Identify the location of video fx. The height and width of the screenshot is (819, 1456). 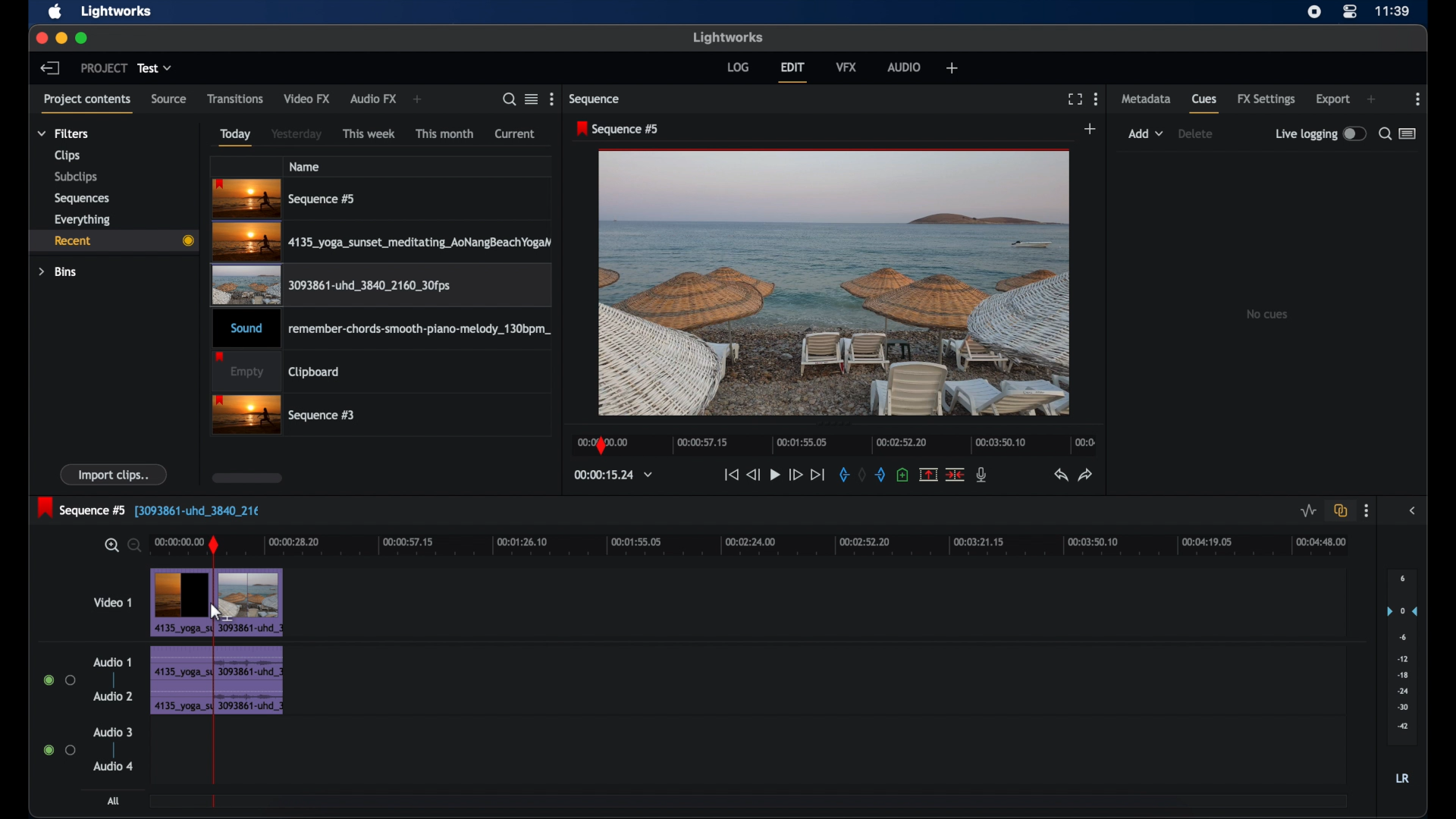
(309, 99).